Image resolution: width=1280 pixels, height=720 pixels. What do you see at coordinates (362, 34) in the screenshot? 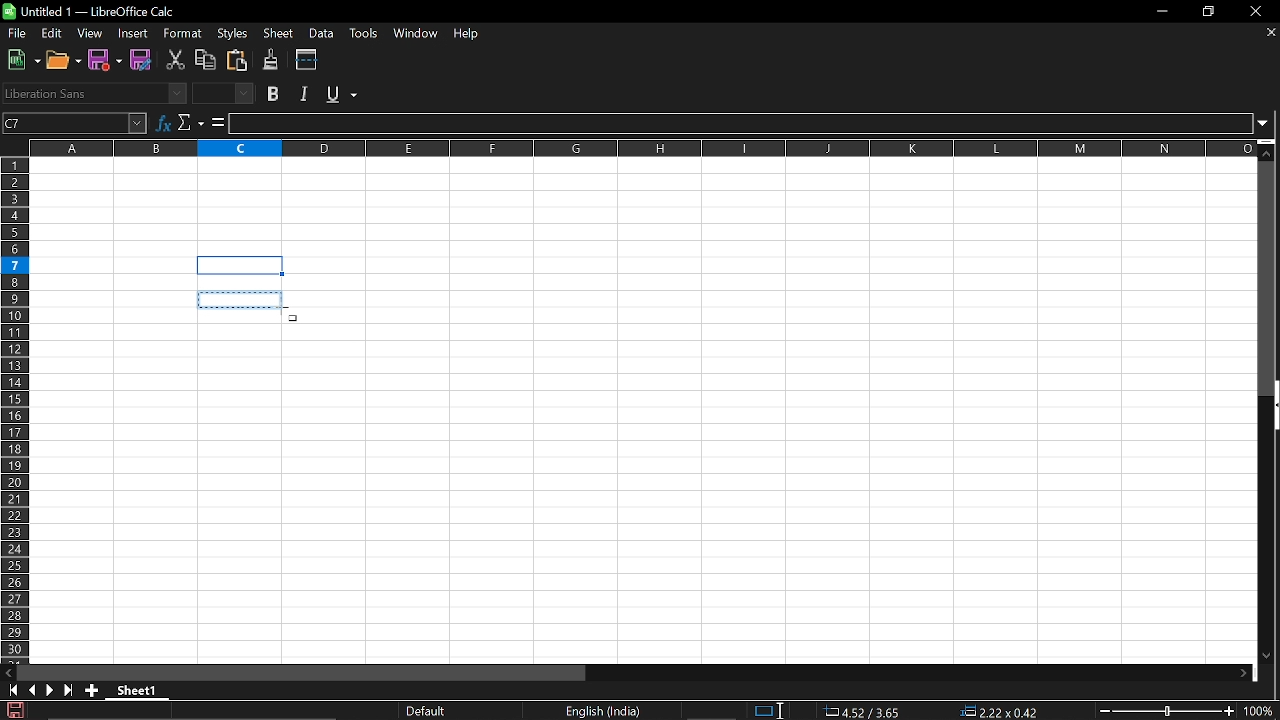
I see `Tools` at bounding box center [362, 34].